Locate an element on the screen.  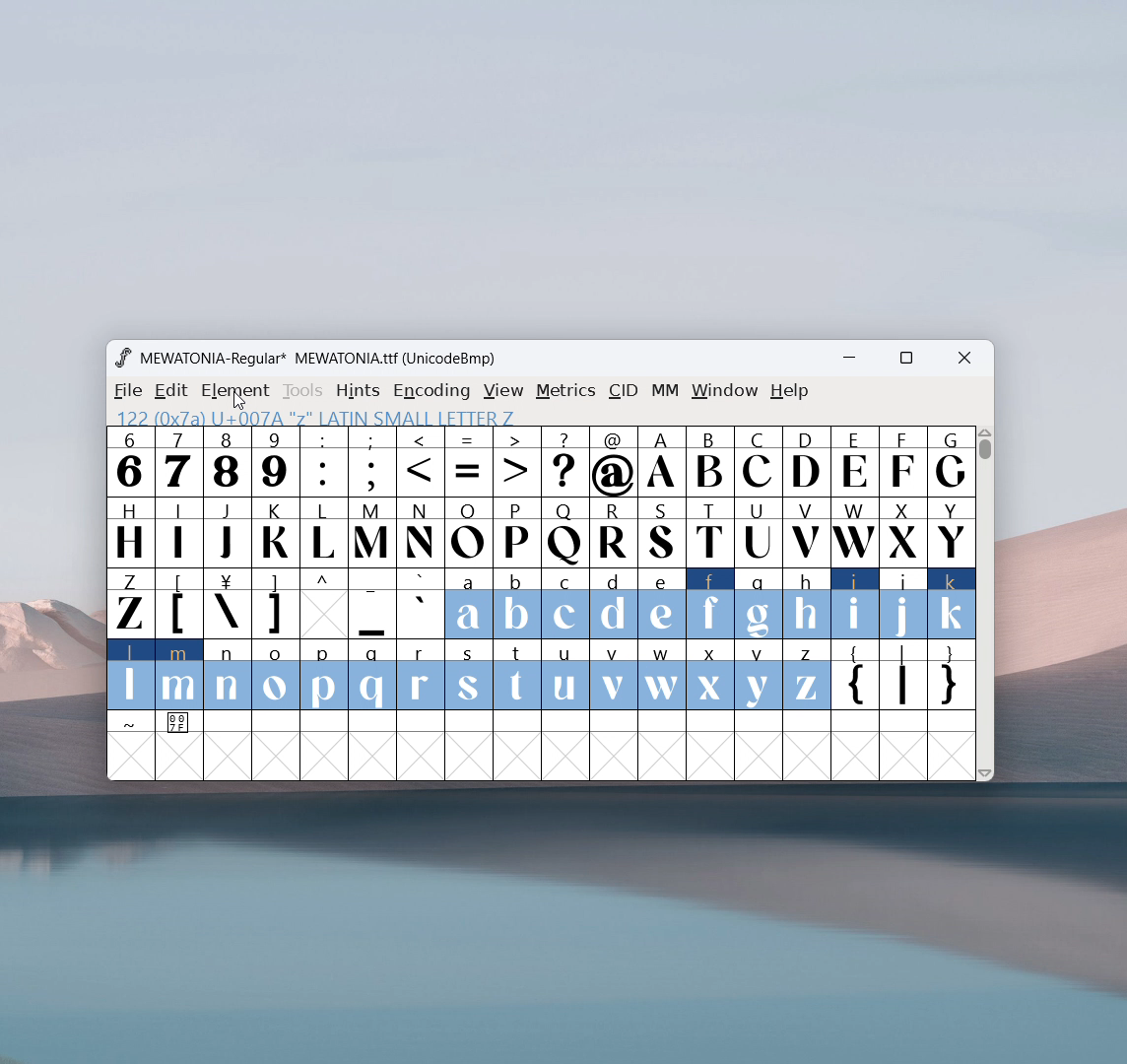
n is located at coordinates (228, 677).